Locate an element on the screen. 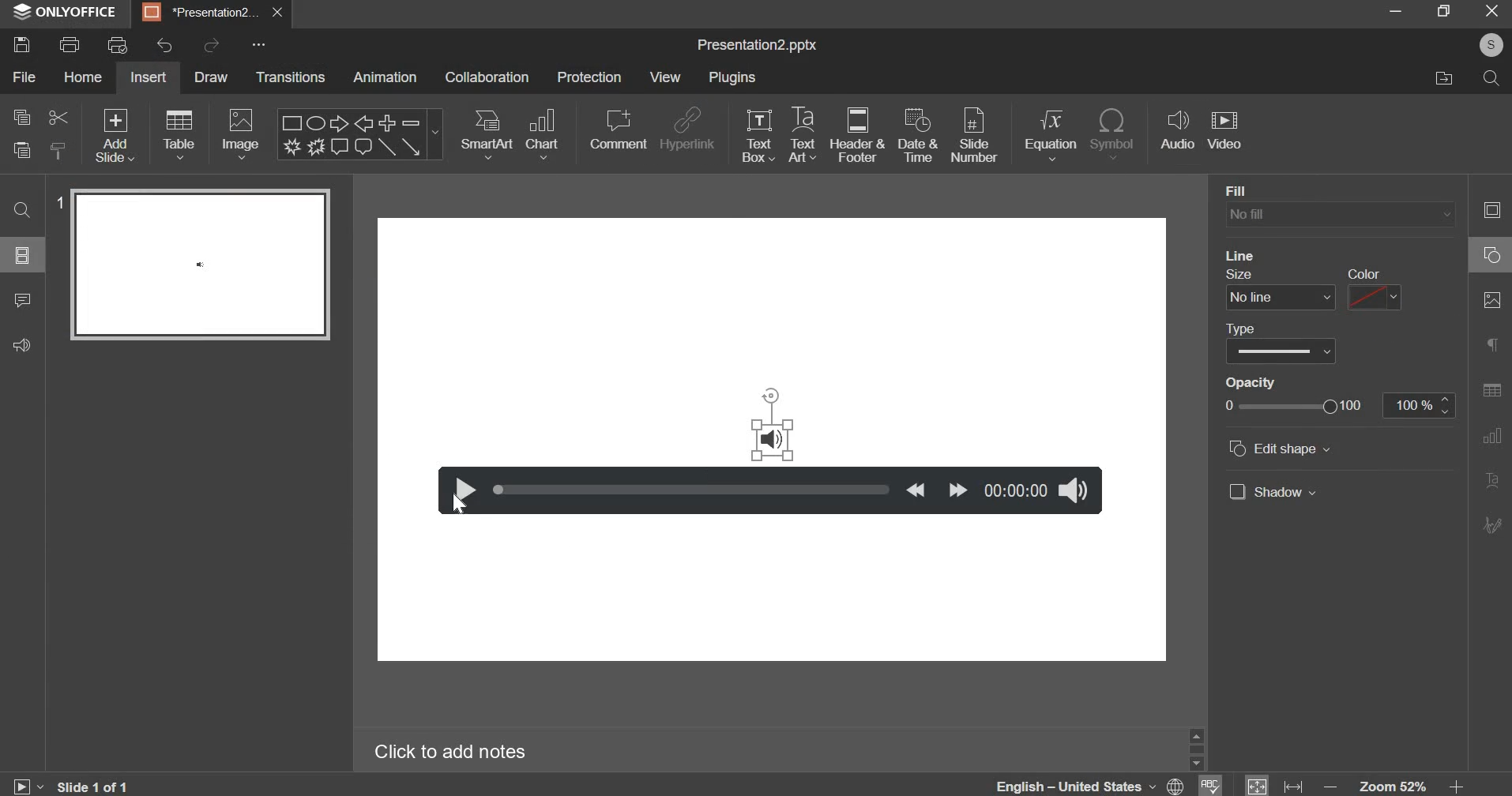  text box is located at coordinates (758, 133).